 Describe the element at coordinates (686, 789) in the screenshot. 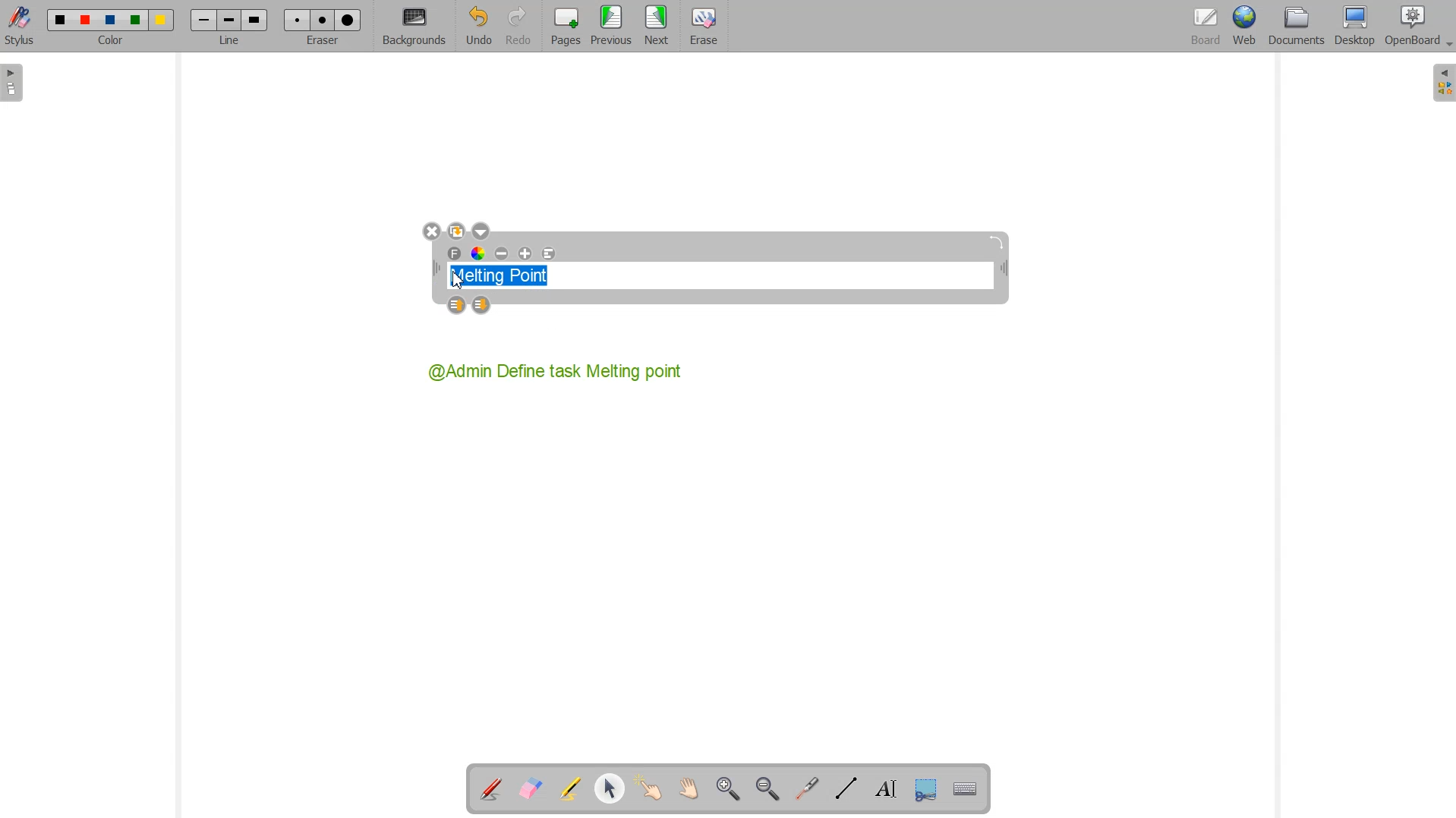

I see `Scroll page` at that location.